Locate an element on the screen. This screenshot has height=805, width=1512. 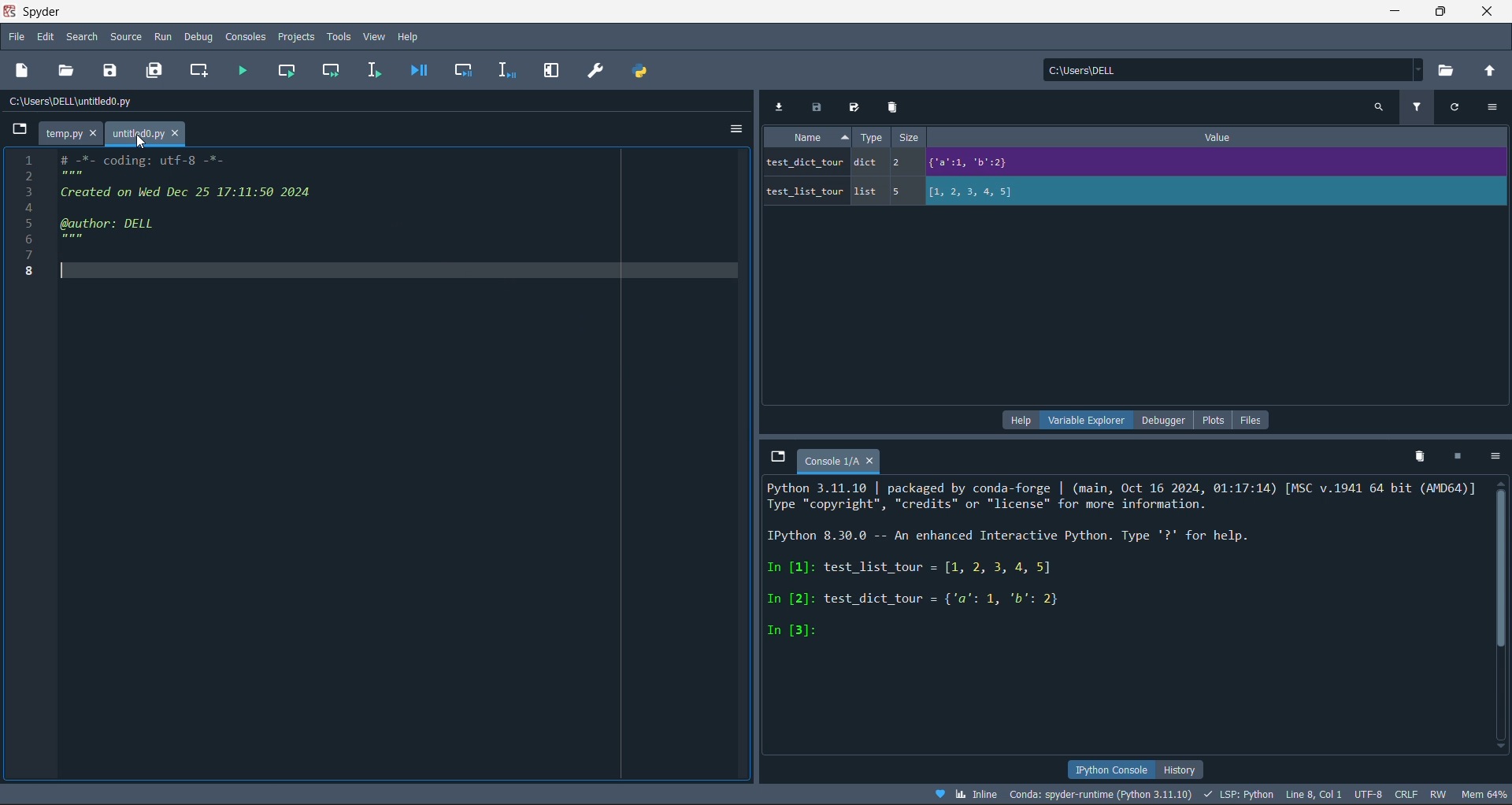
file is located at coordinates (17, 38).